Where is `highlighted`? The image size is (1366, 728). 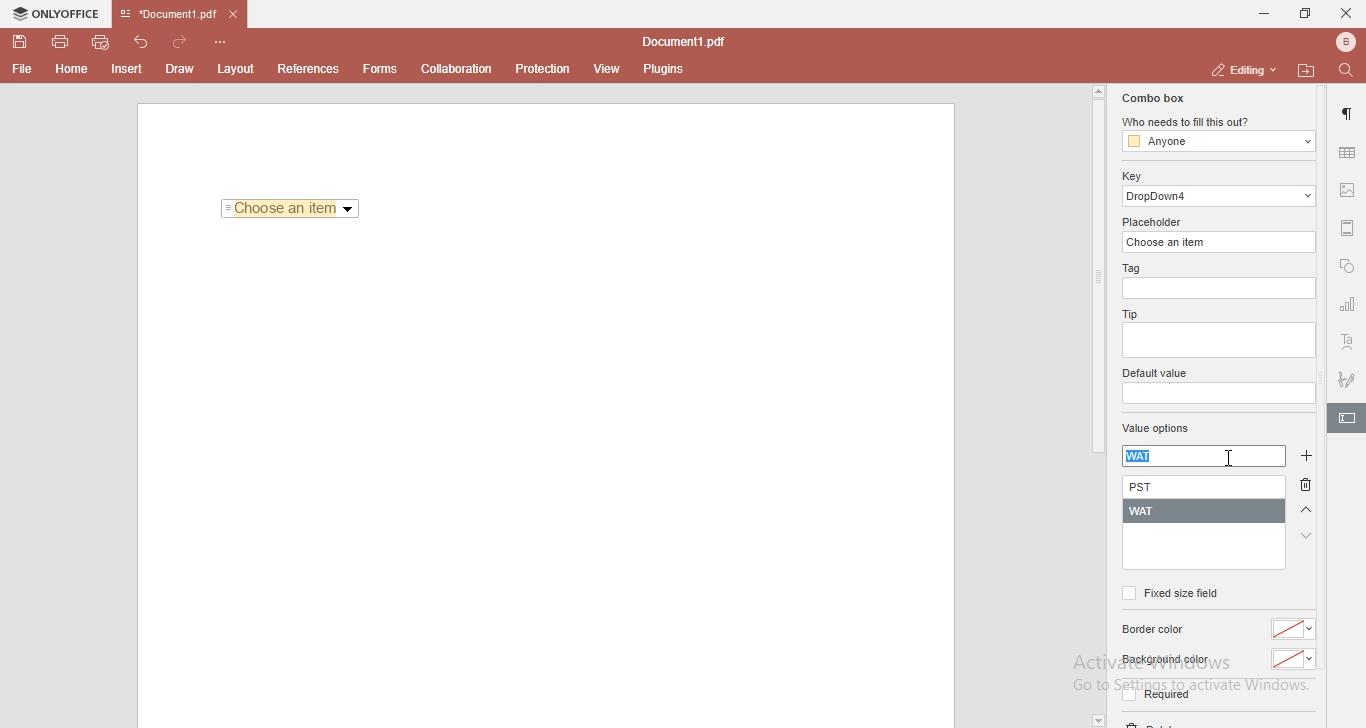
highlighted is located at coordinates (1346, 420).